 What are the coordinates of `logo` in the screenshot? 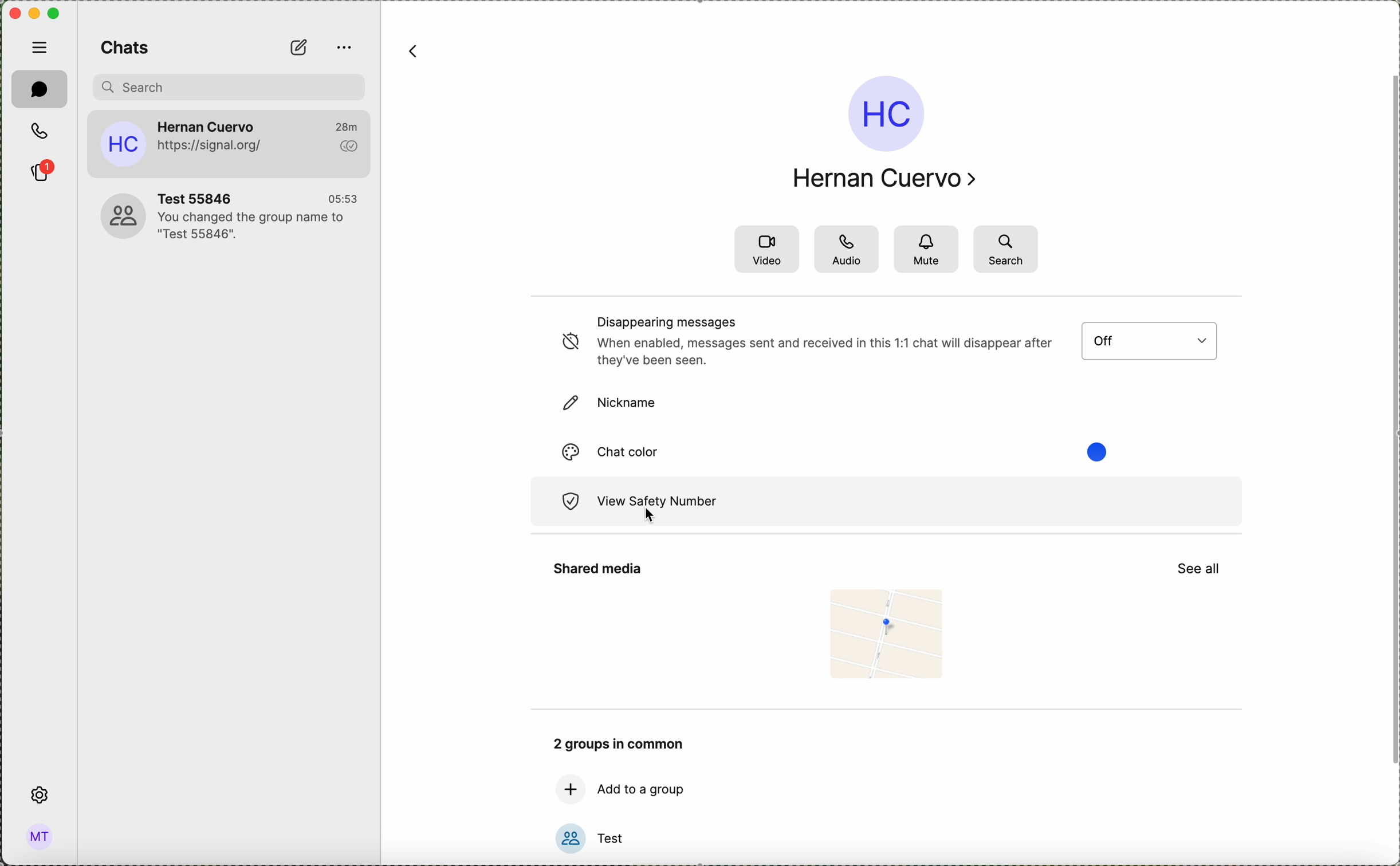 It's located at (565, 503).